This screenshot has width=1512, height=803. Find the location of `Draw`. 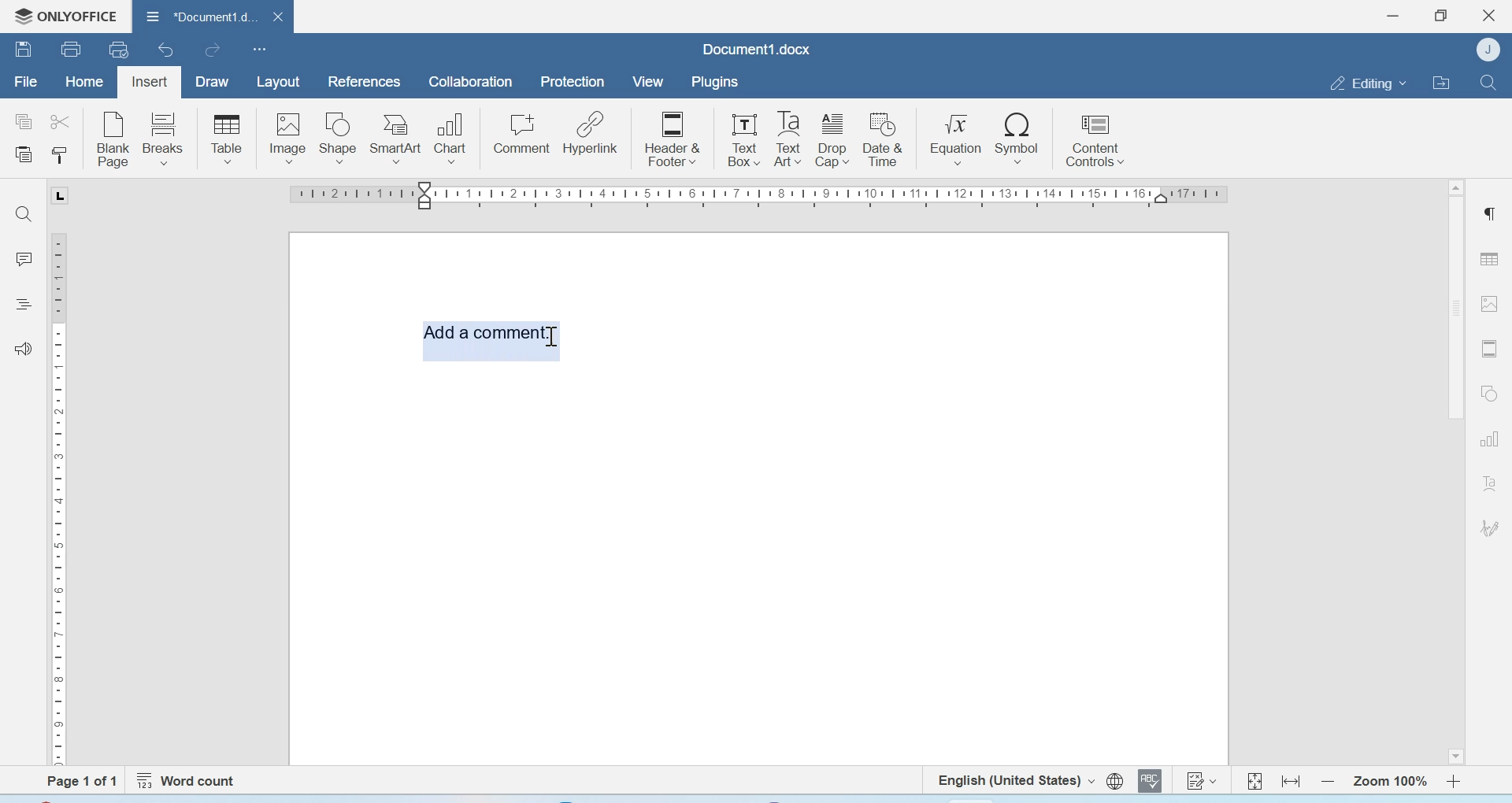

Draw is located at coordinates (213, 83).